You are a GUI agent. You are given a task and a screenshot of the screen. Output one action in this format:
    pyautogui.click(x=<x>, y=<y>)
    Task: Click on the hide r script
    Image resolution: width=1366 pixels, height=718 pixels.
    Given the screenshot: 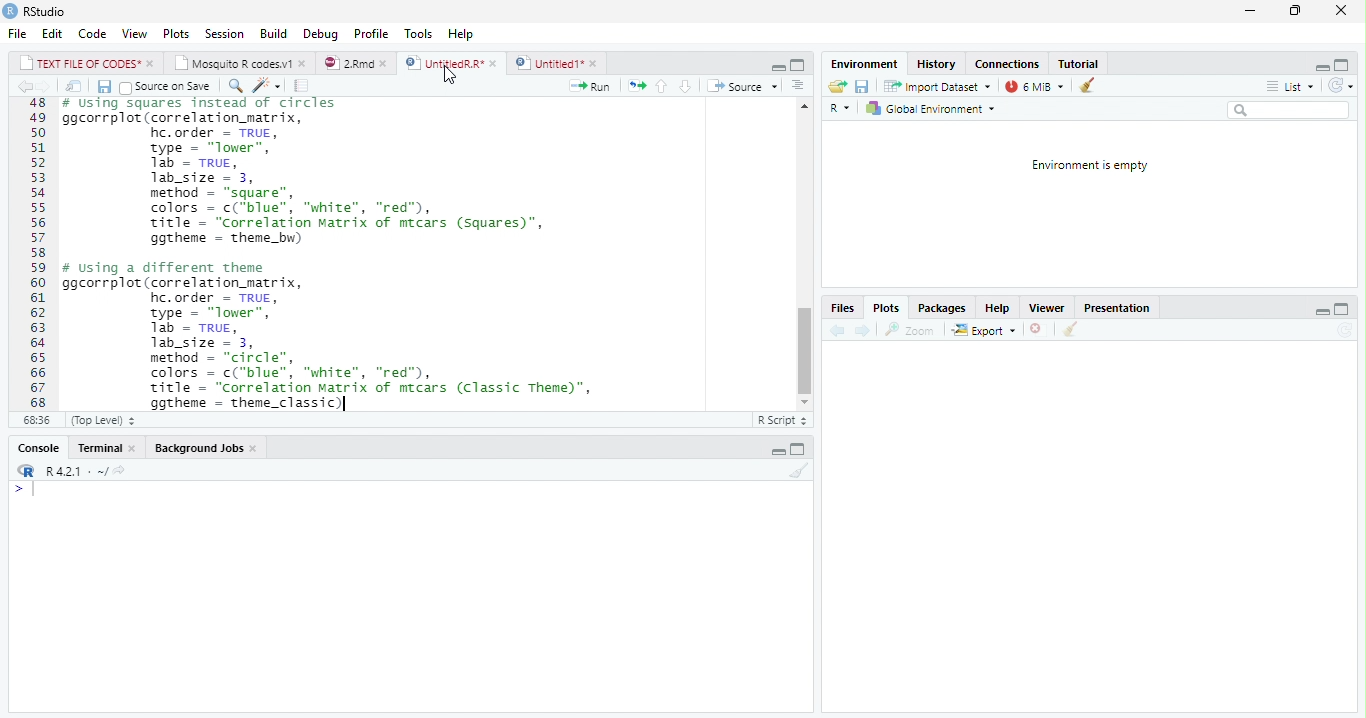 What is the action you would take?
    pyautogui.click(x=775, y=67)
    